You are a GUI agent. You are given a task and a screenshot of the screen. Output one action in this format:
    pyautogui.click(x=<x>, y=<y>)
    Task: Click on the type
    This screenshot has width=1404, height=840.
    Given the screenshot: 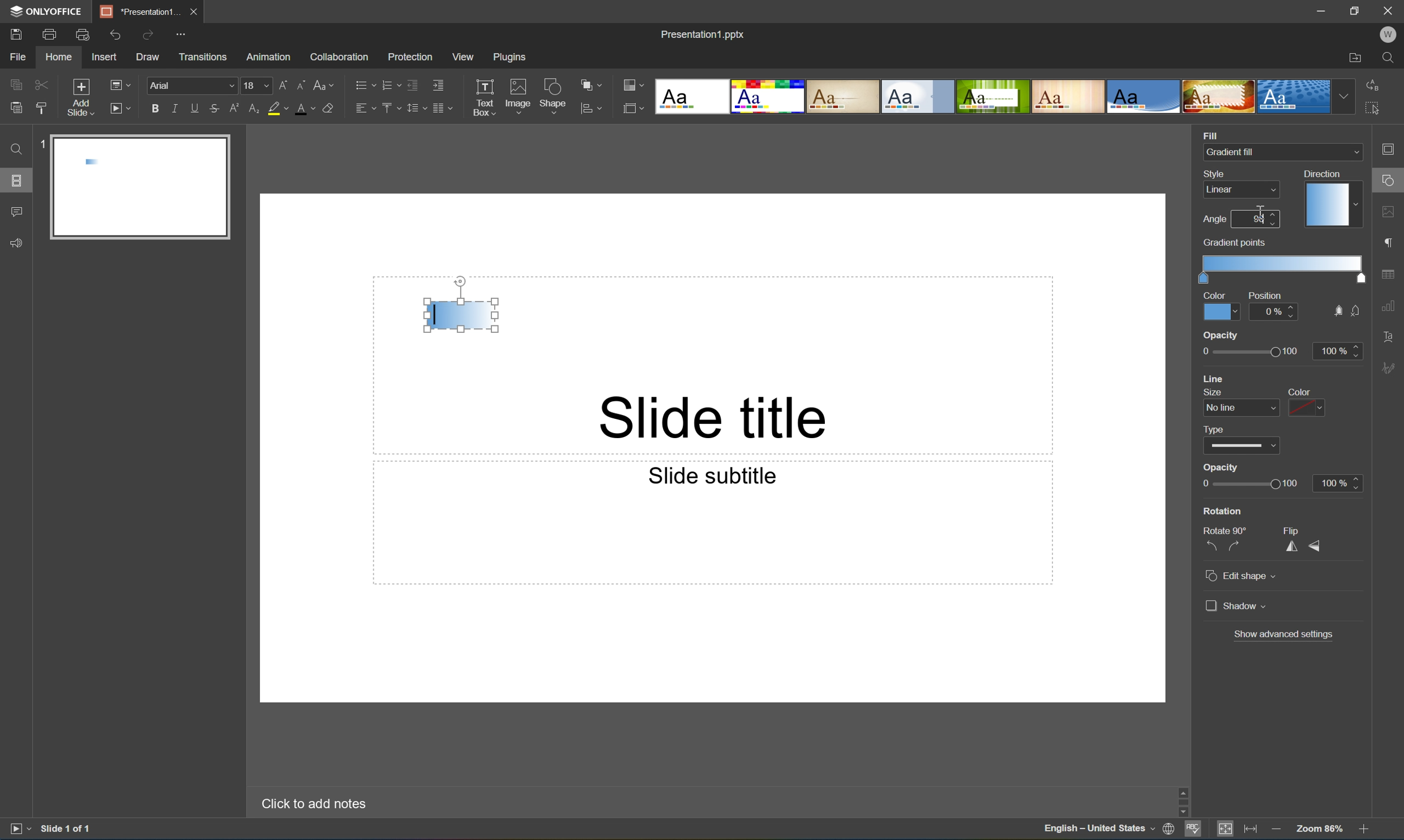 What is the action you would take?
    pyautogui.click(x=1218, y=428)
    